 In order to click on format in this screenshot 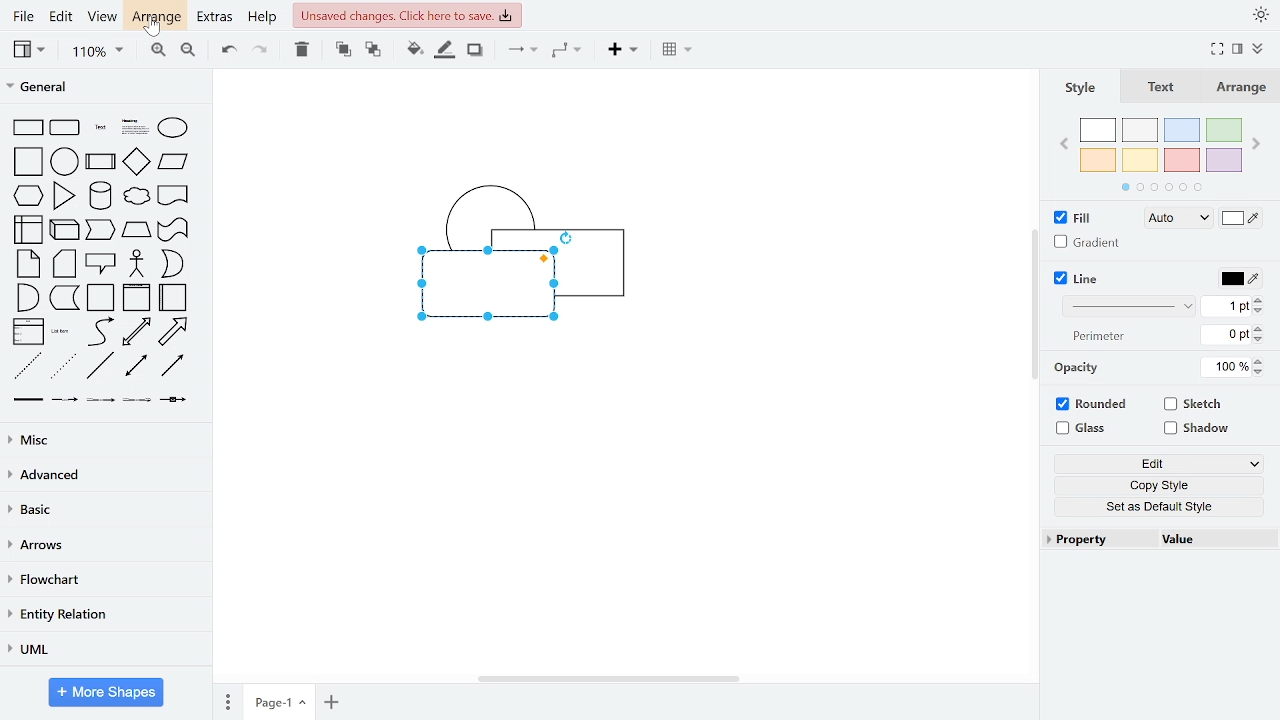, I will do `click(1240, 48)`.